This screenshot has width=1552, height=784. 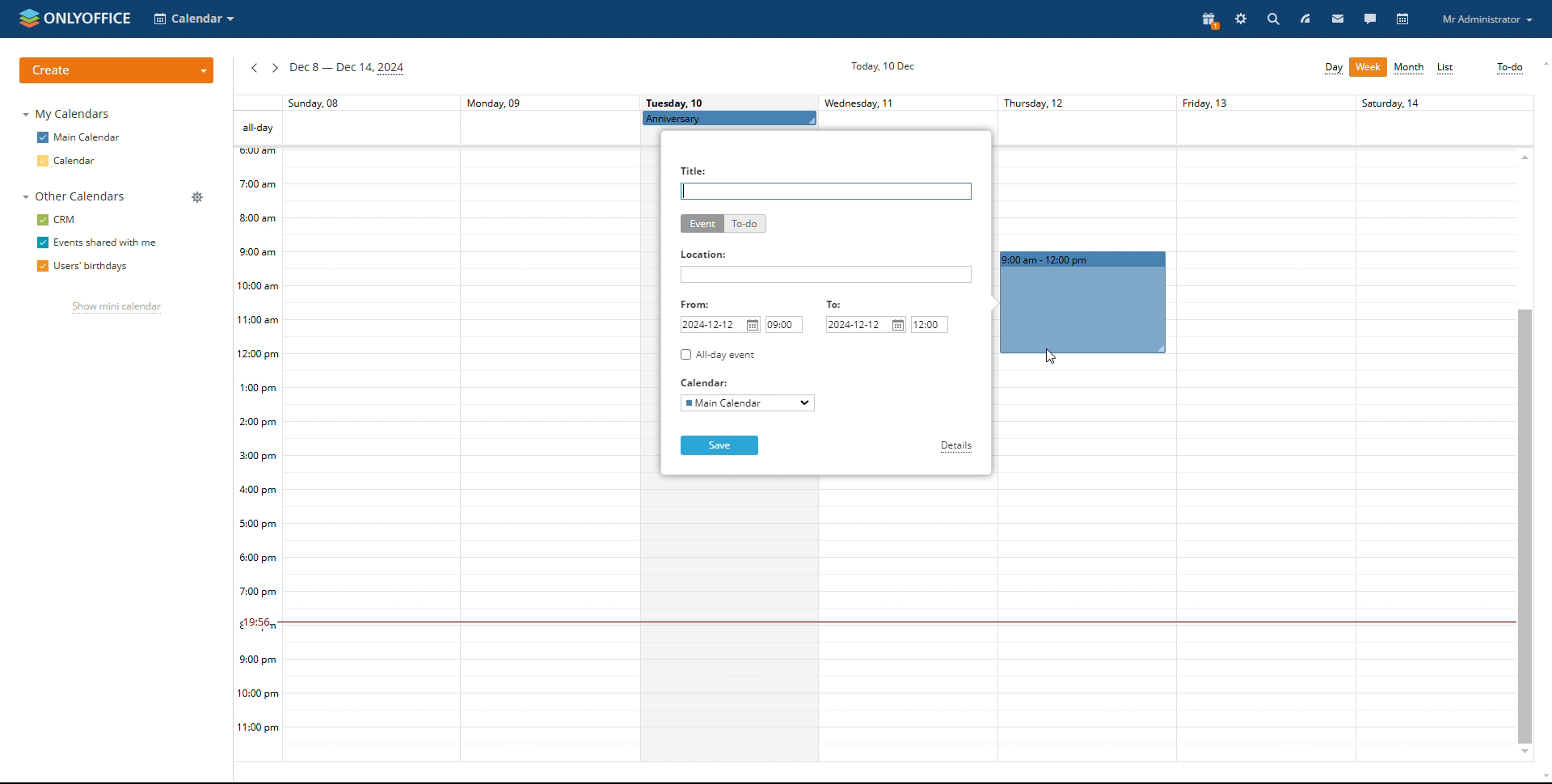 I want to click on all-day events, so click(x=257, y=128).